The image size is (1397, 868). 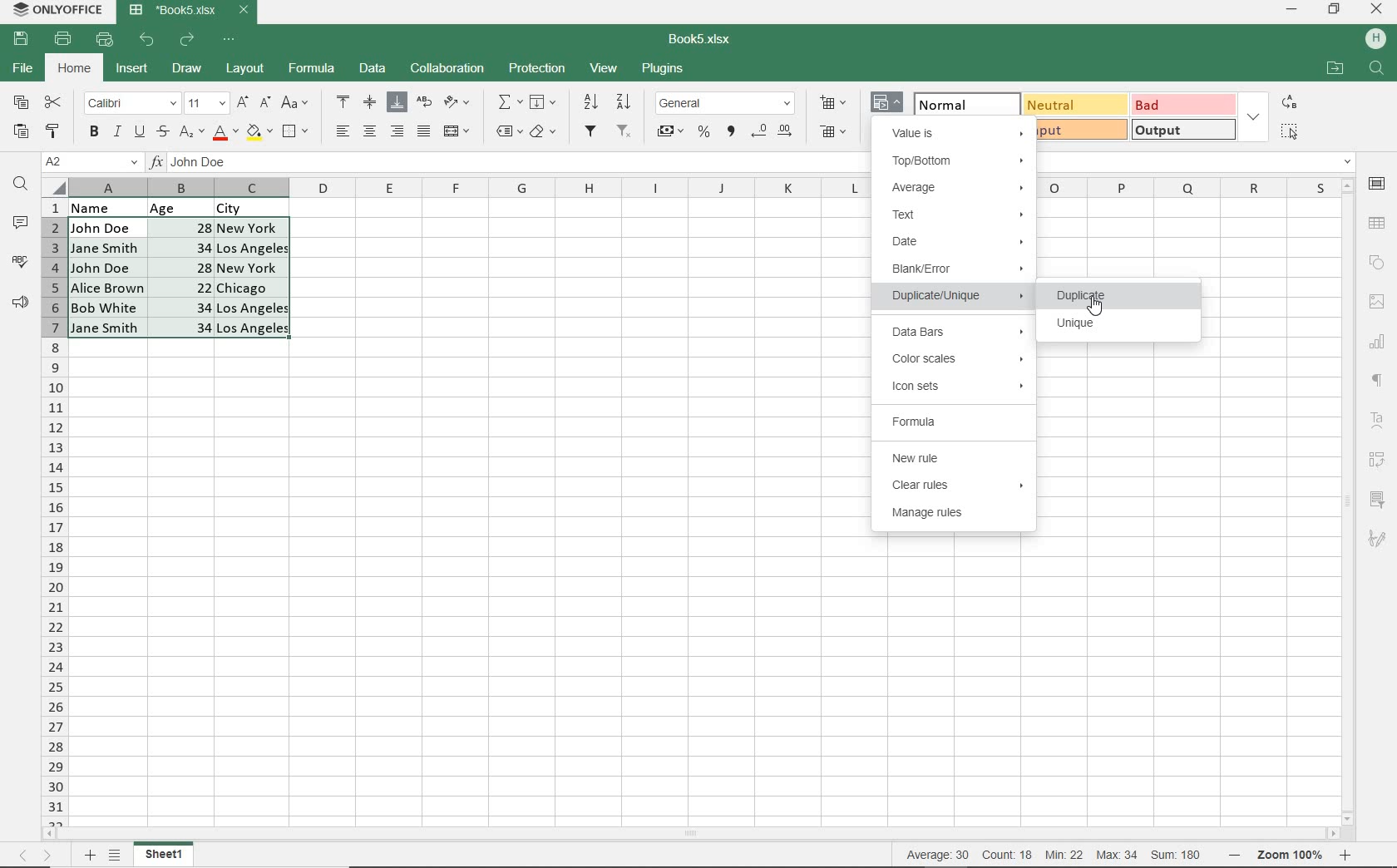 What do you see at coordinates (957, 515) in the screenshot?
I see `MANAGE RULES` at bounding box center [957, 515].